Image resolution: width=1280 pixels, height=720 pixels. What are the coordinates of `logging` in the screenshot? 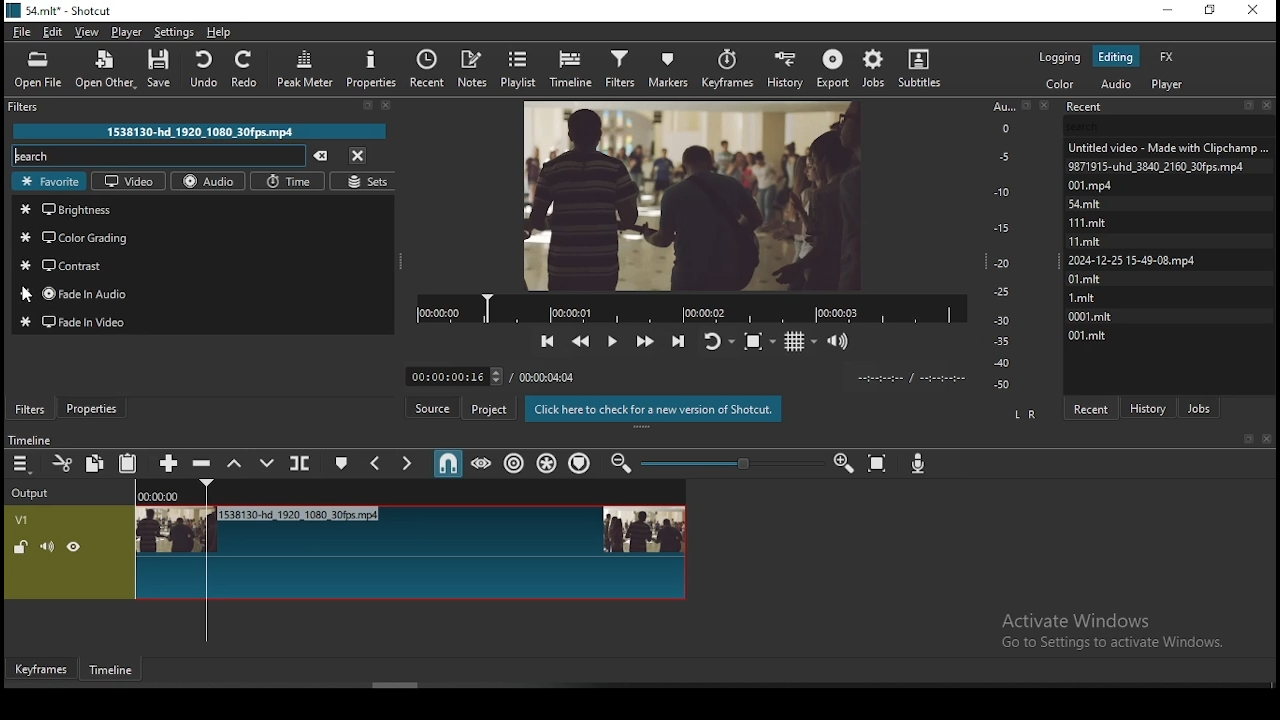 It's located at (1061, 57).